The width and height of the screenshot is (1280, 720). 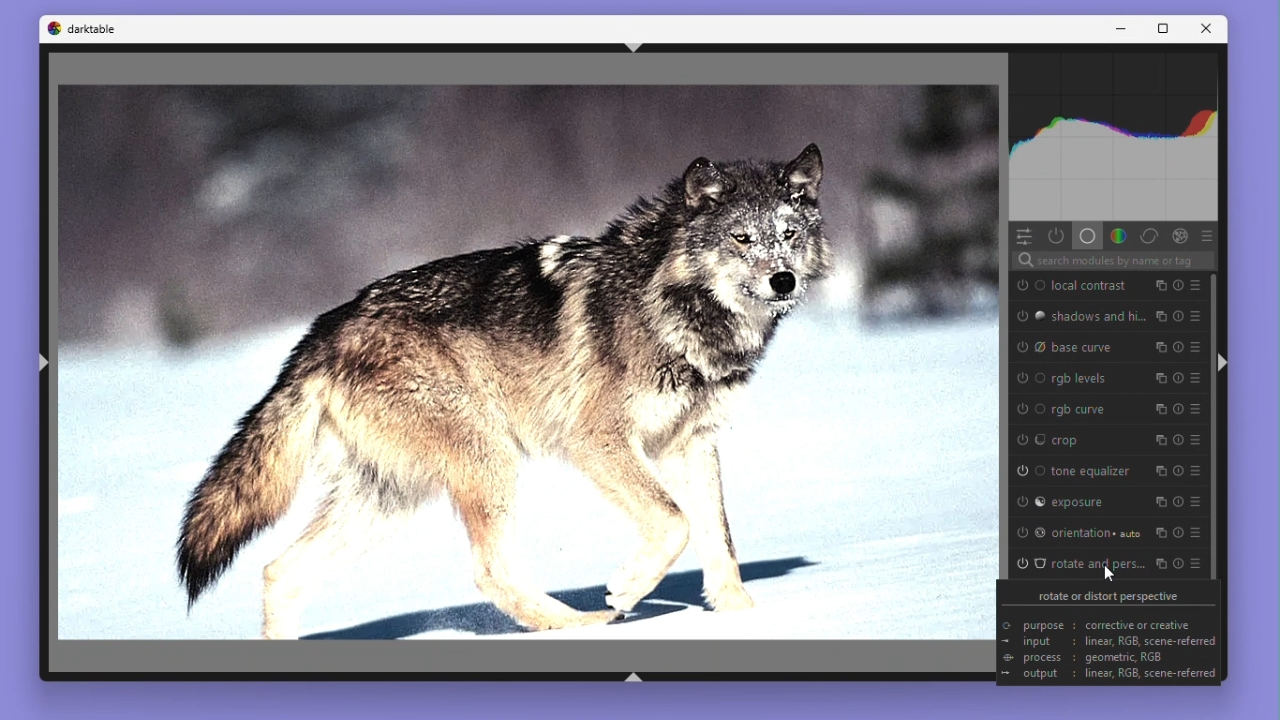 What do you see at coordinates (81, 28) in the screenshot?
I see `Darktable` at bounding box center [81, 28].